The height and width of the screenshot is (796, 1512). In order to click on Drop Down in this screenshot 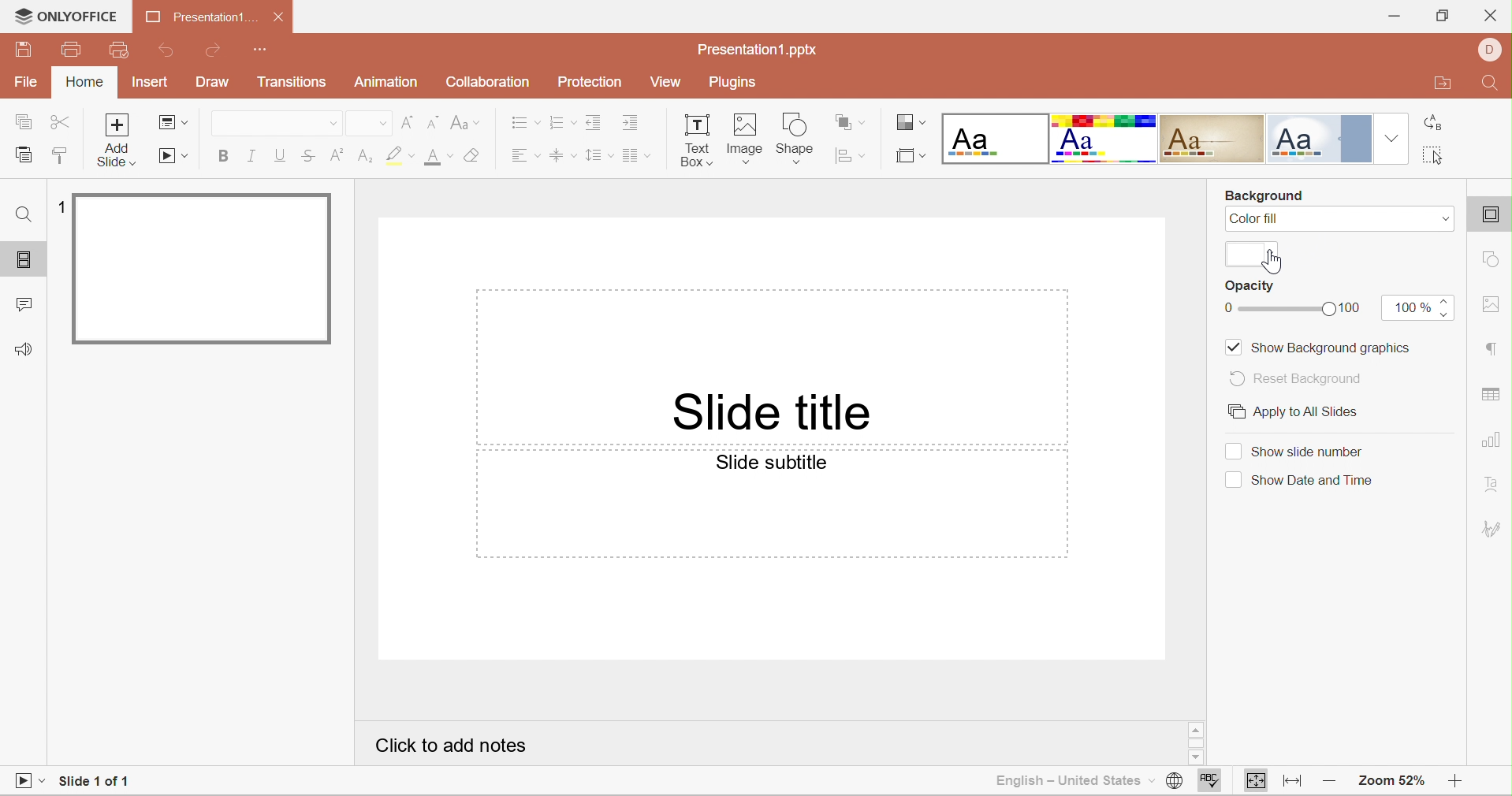, I will do `click(381, 124)`.